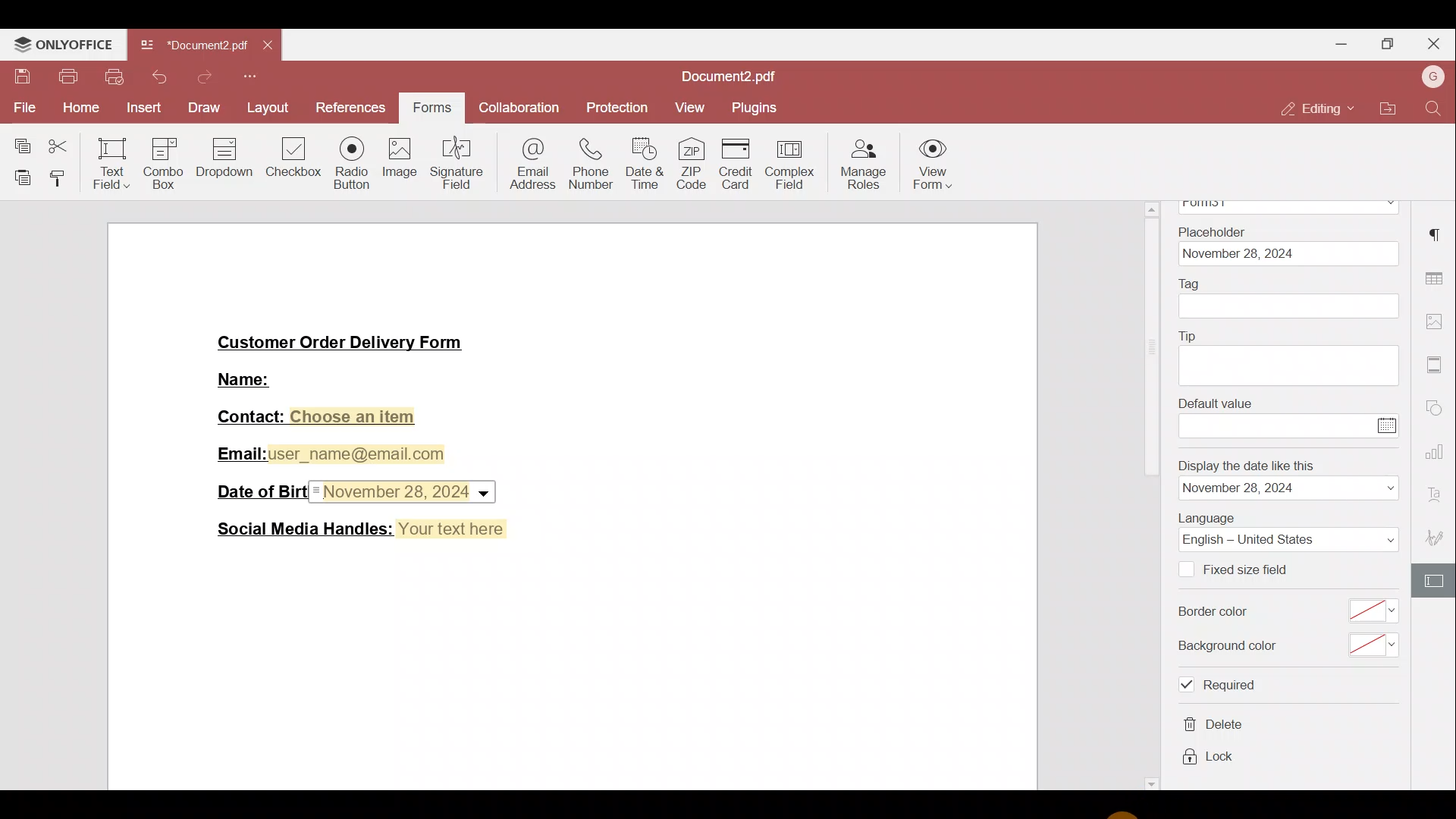 The width and height of the screenshot is (1456, 819). I want to click on Radio button, so click(351, 159).